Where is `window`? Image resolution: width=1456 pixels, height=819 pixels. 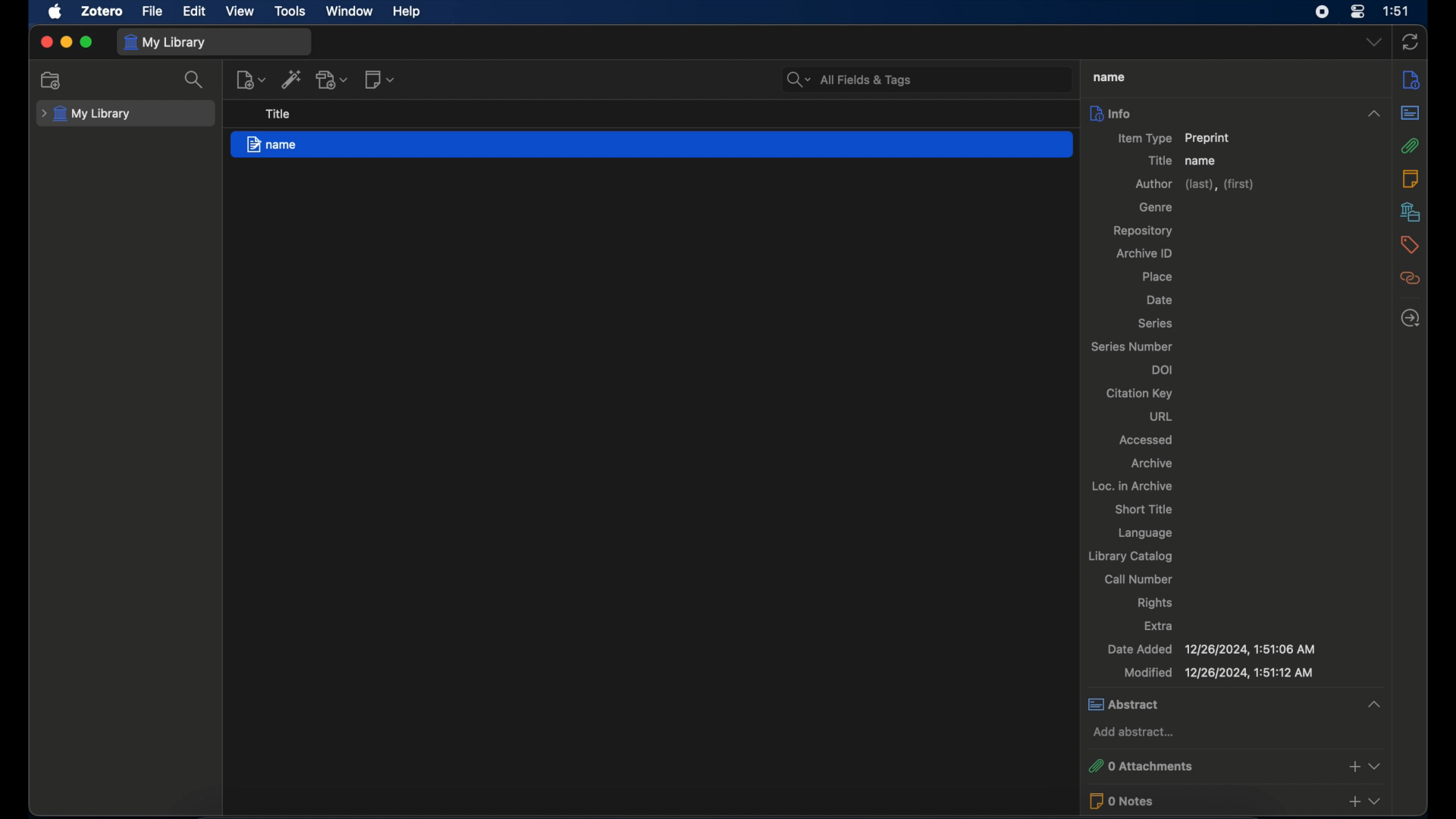 window is located at coordinates (350, 11).